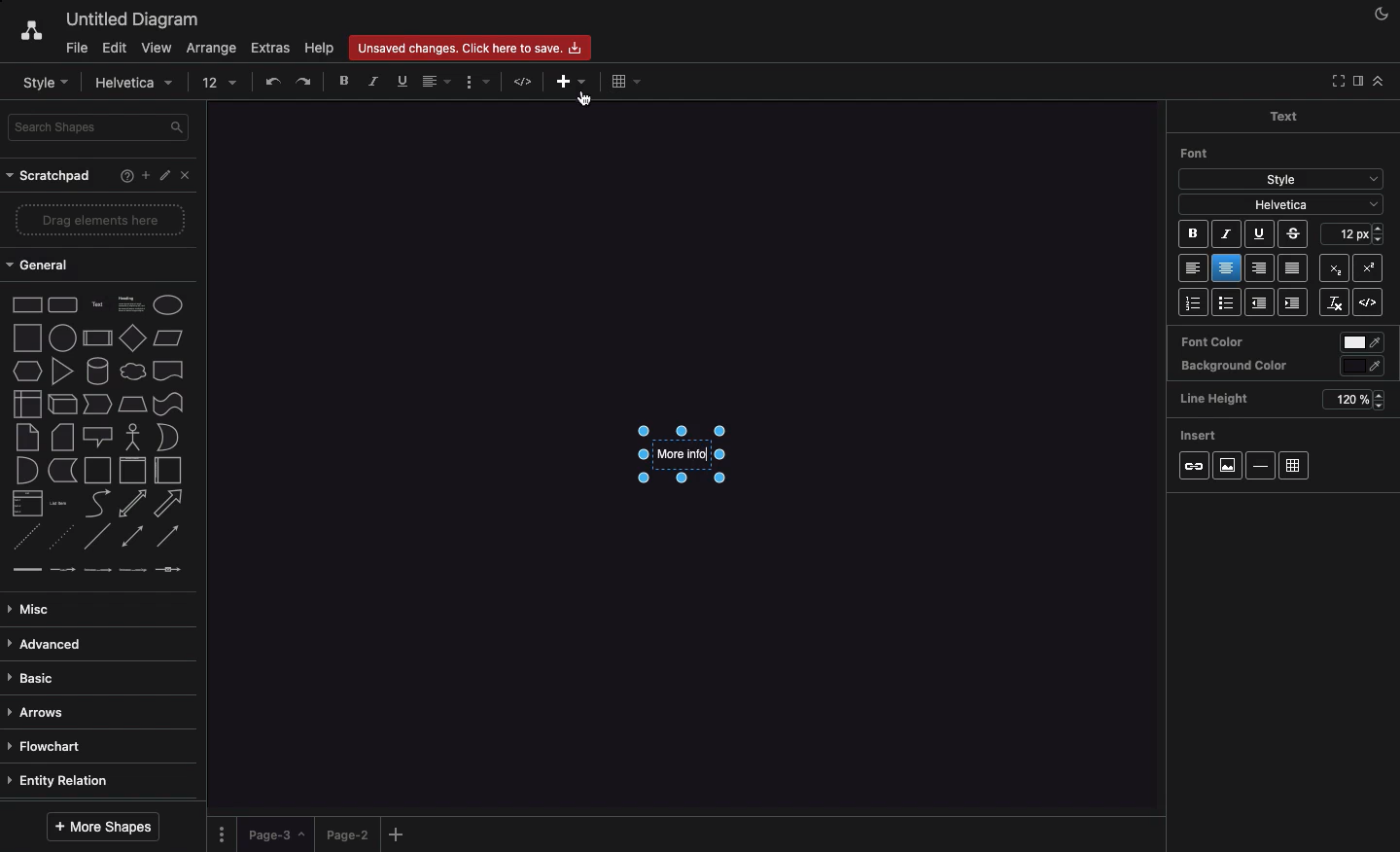 The image size is (1400, 852). Describe the element at coordinates (61, 782) in the screenshot. I see `Entity relation` at that location.